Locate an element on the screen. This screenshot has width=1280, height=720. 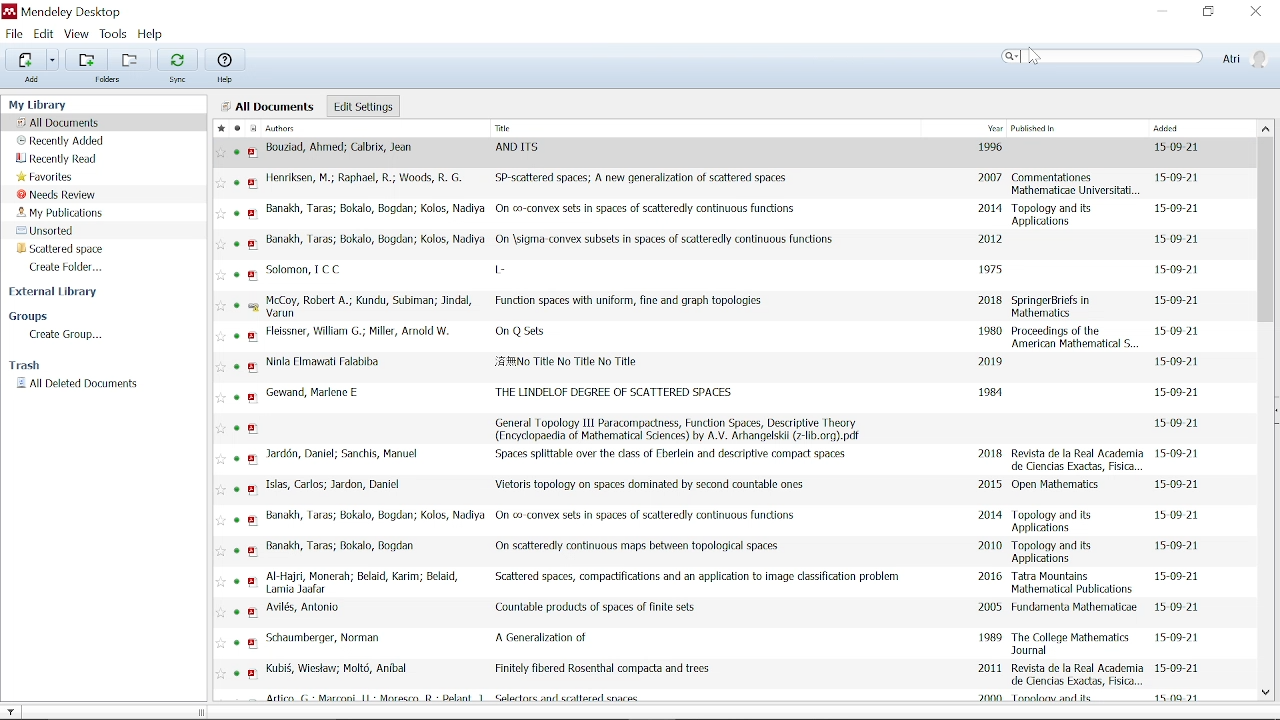
Add to favorite is located at coordinates (222, 429).